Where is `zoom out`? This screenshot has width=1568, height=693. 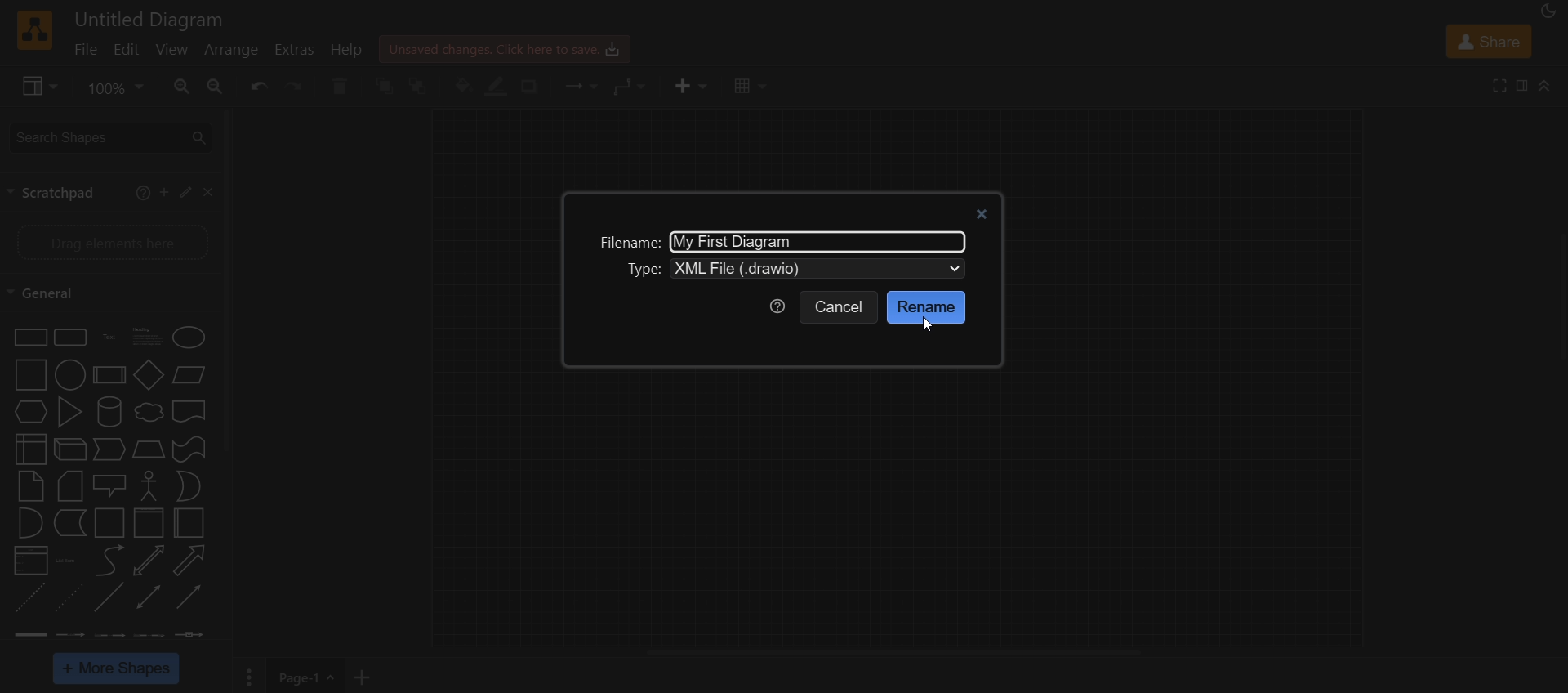 zoom out is located at coordinates (214, 86).